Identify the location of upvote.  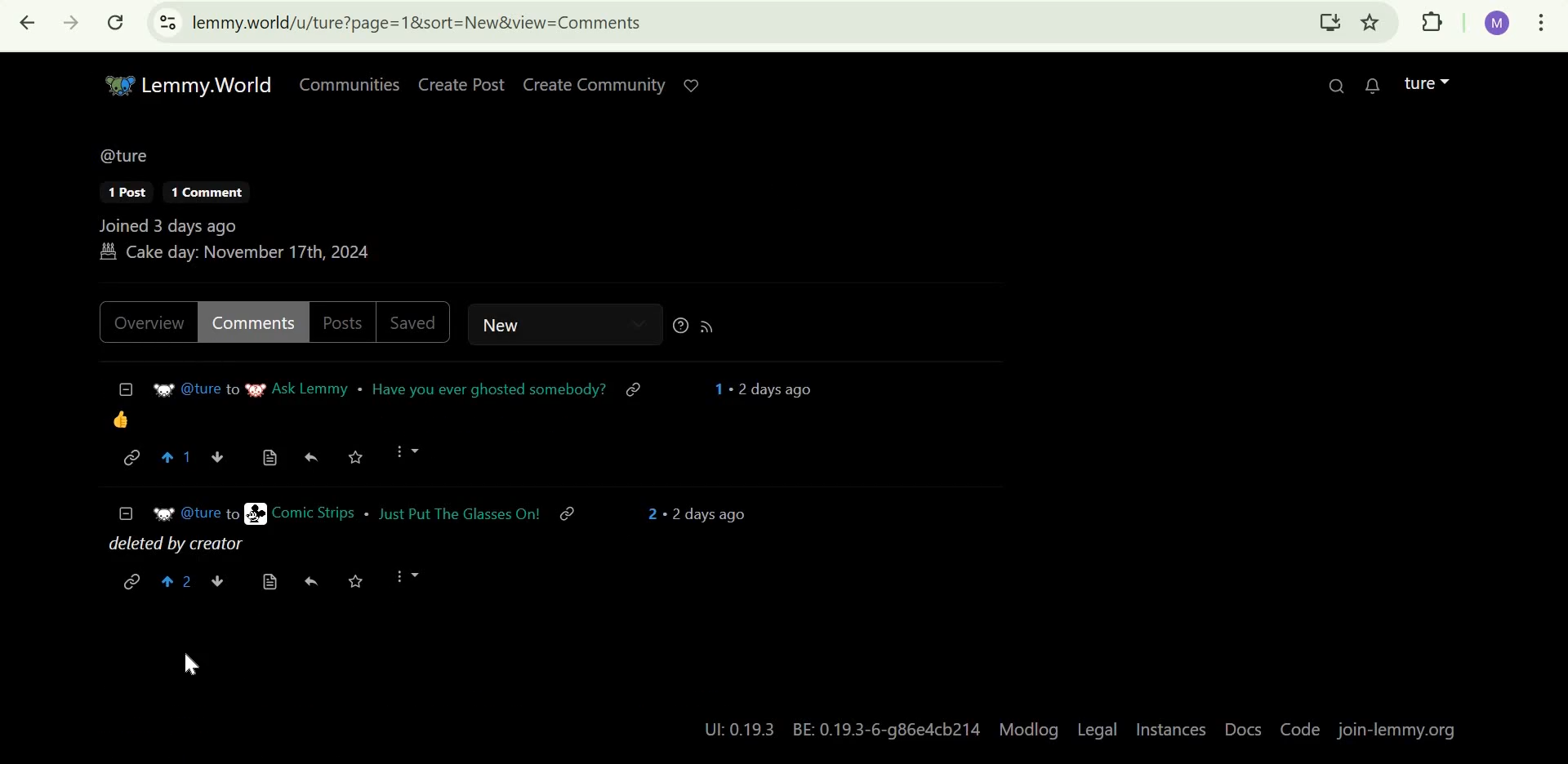
(177, 458).